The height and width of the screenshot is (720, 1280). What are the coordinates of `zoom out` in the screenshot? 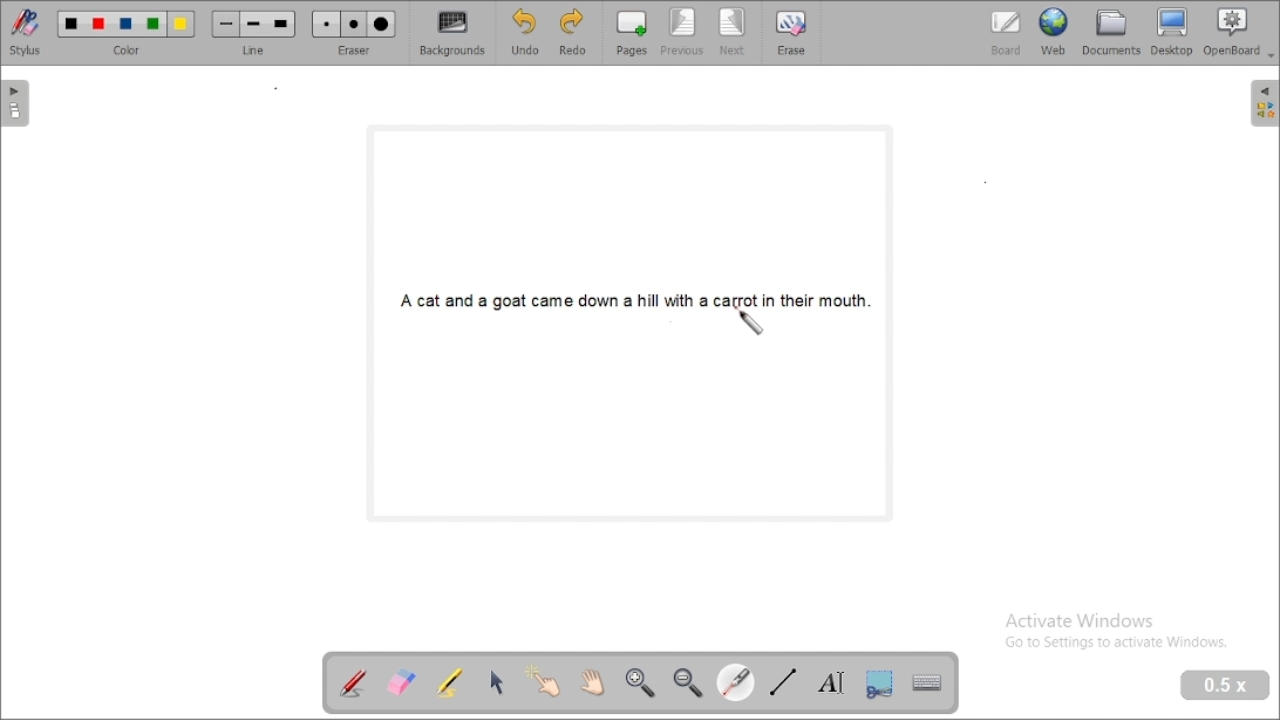 It's located at (688, 684).